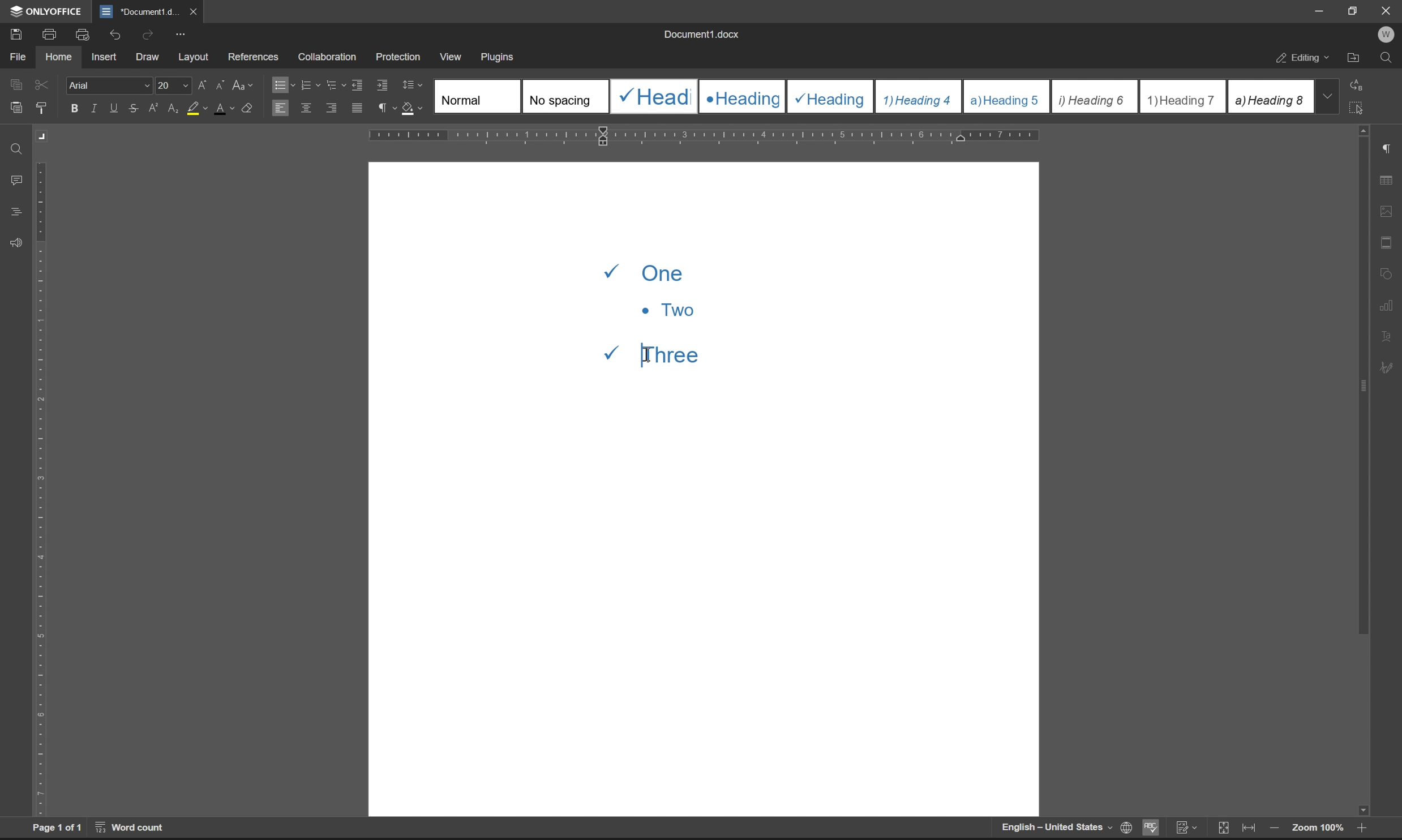 Image resolution: width=1402 pixels, height=840 pixels. I want to click on change case, so click(244, 84).